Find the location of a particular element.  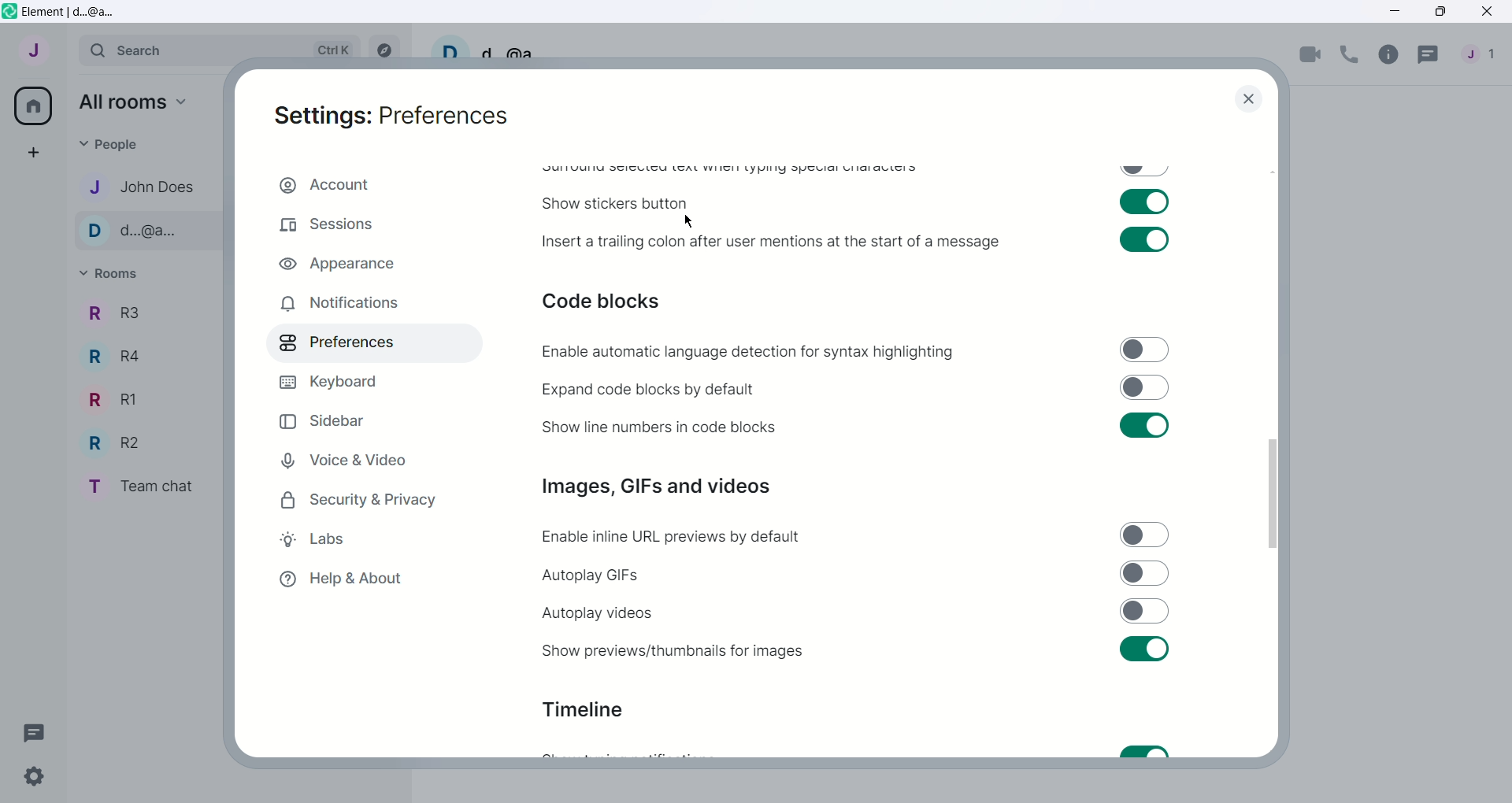

Show line numbers in code blocks is located at coordinates (659, 426).